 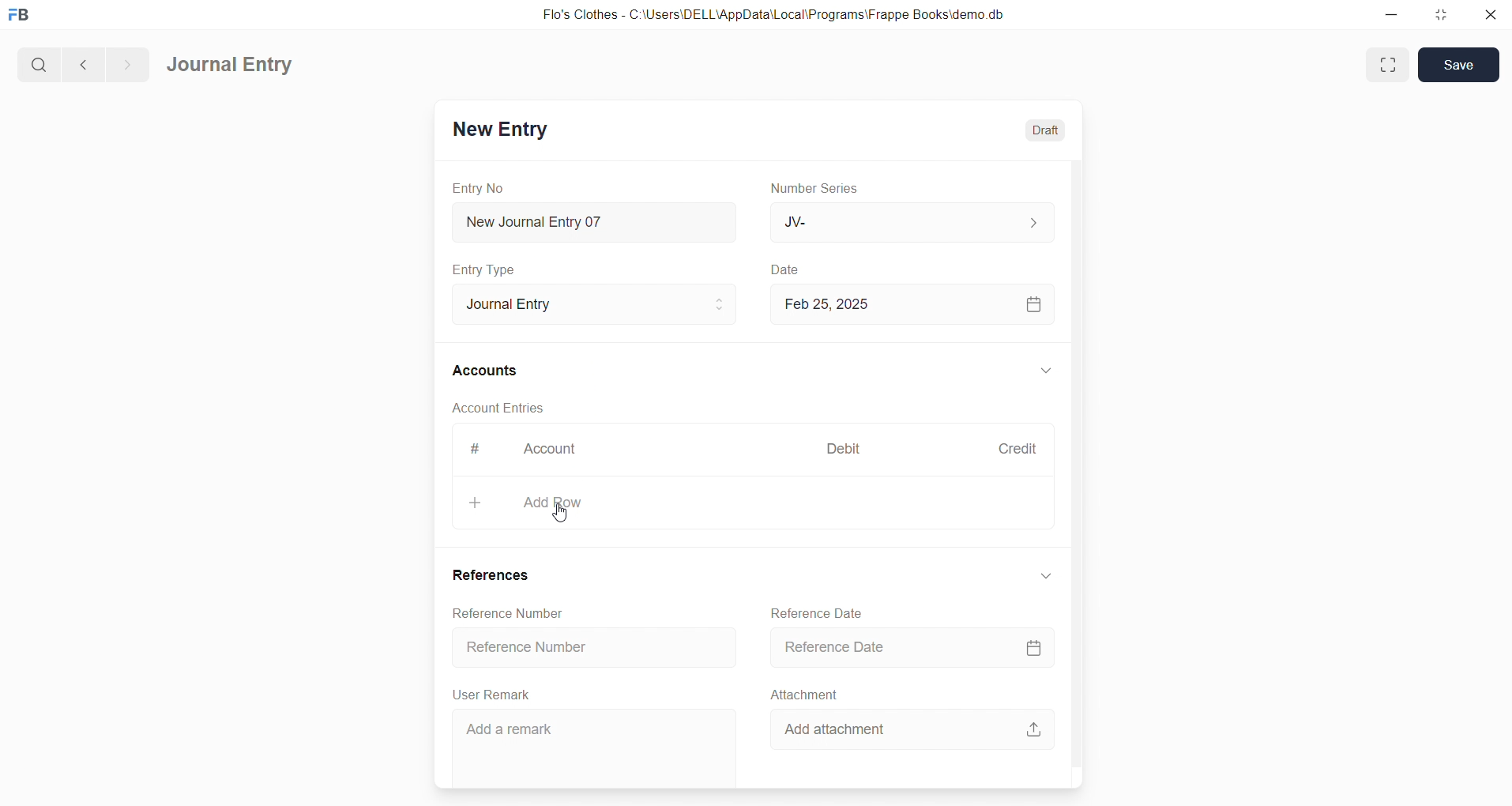 I want to click on Add Row, so click(x=752, y=504).